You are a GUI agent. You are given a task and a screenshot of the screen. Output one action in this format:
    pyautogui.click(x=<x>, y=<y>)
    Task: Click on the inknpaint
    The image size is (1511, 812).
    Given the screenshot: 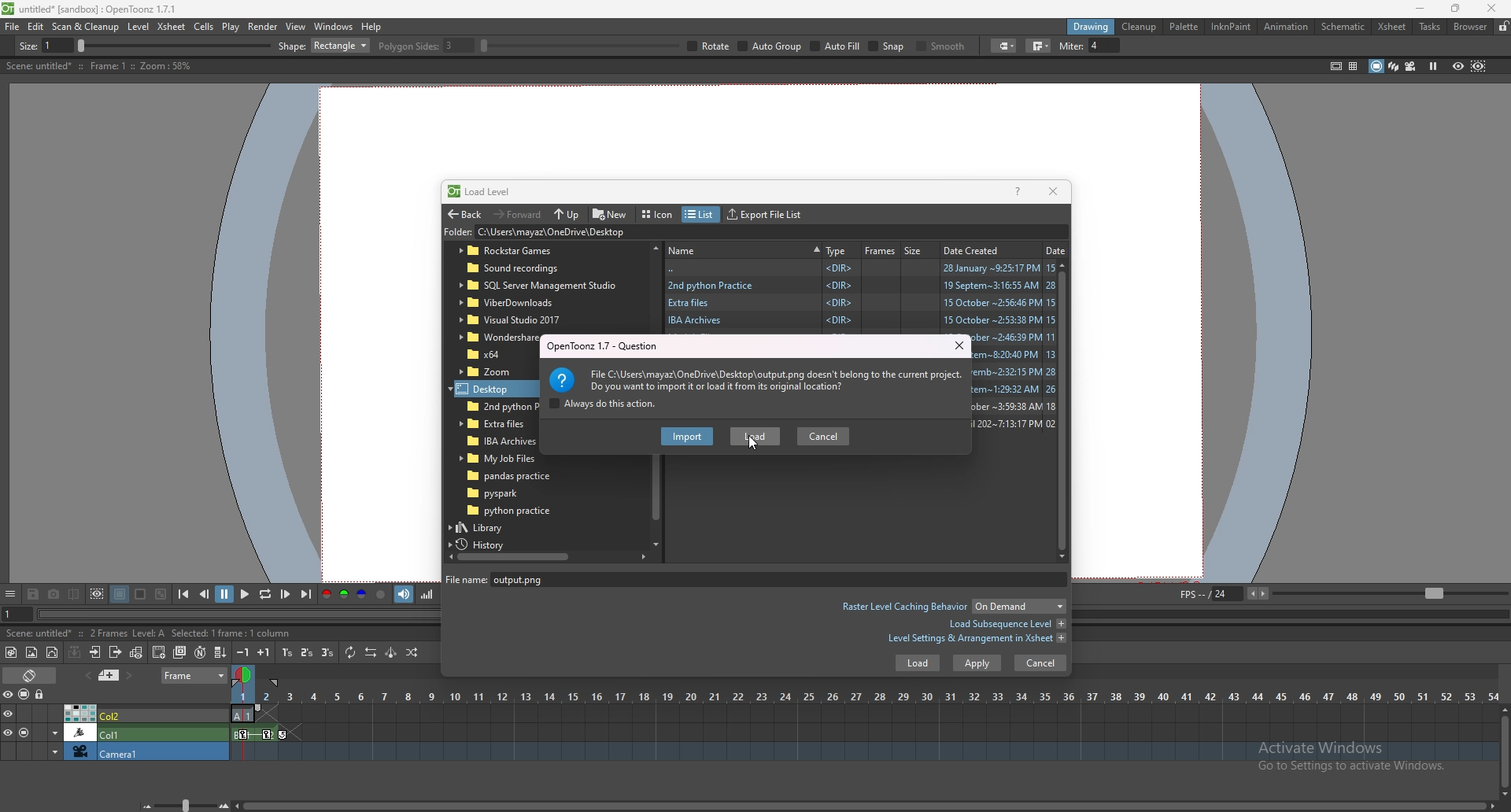 What is the action you would take?
    pyautogui.click(x=1231, y=27)
    